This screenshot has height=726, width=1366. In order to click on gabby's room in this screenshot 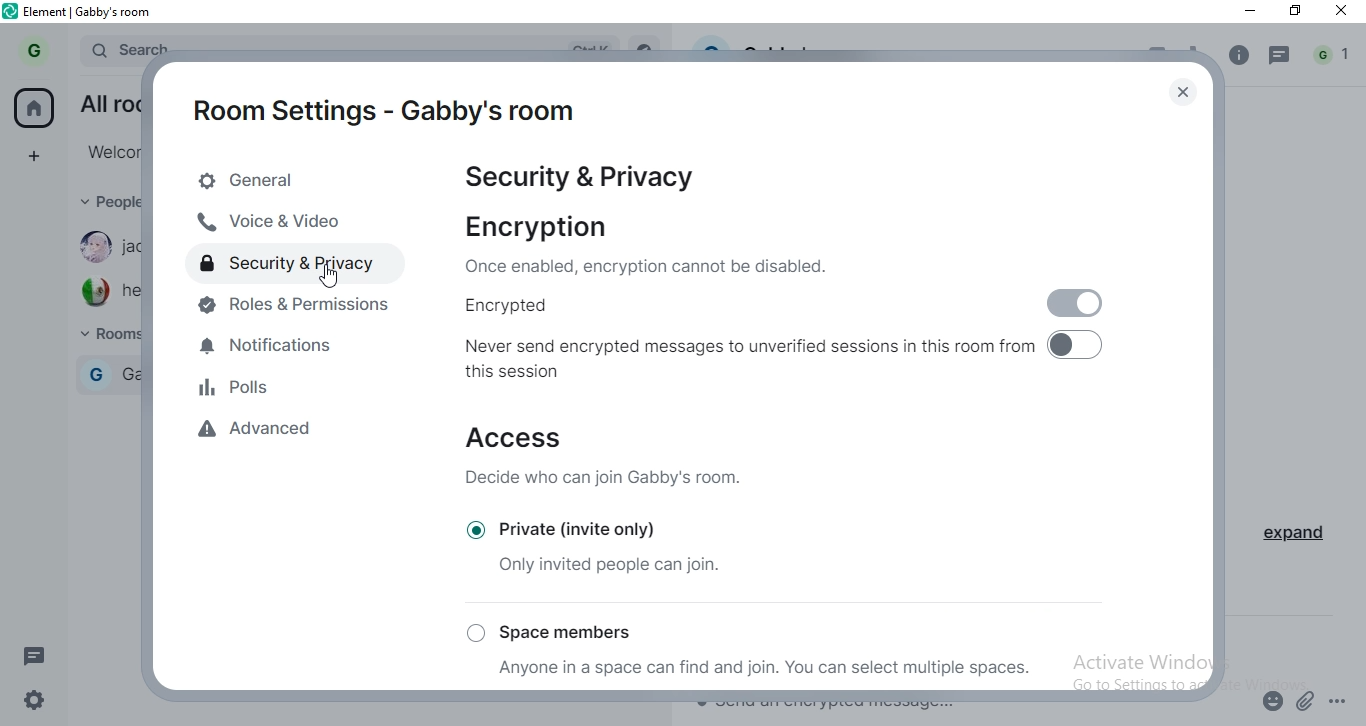, I will do `click(132, 374)`.